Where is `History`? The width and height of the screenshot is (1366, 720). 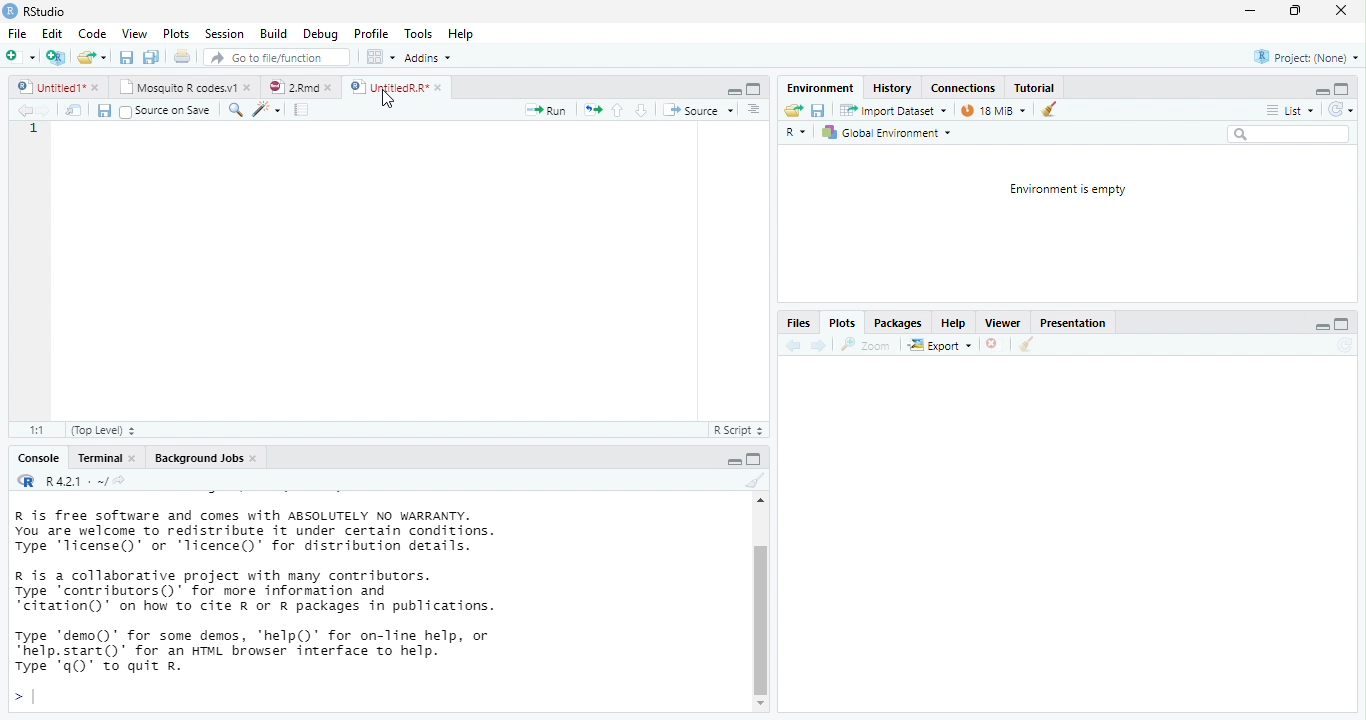 History is located at coordinates (892, 87).